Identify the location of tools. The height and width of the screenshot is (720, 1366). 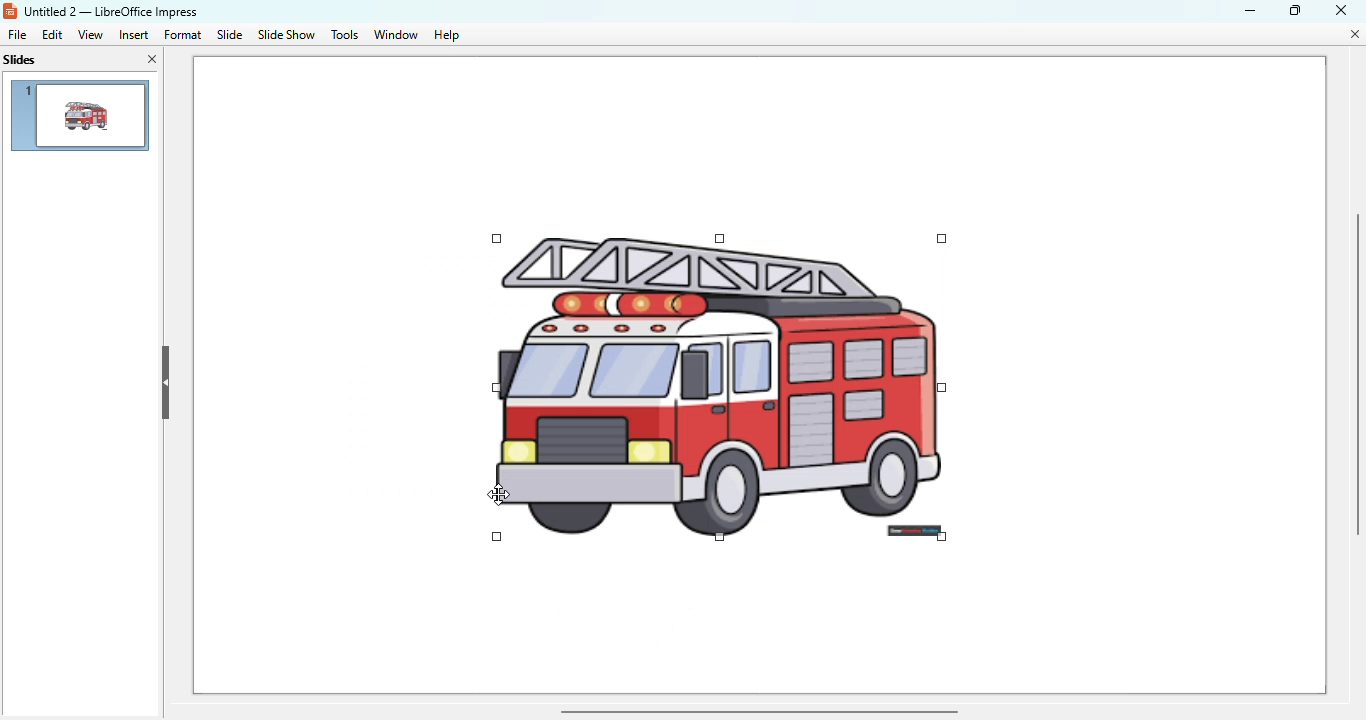
(344, 35).